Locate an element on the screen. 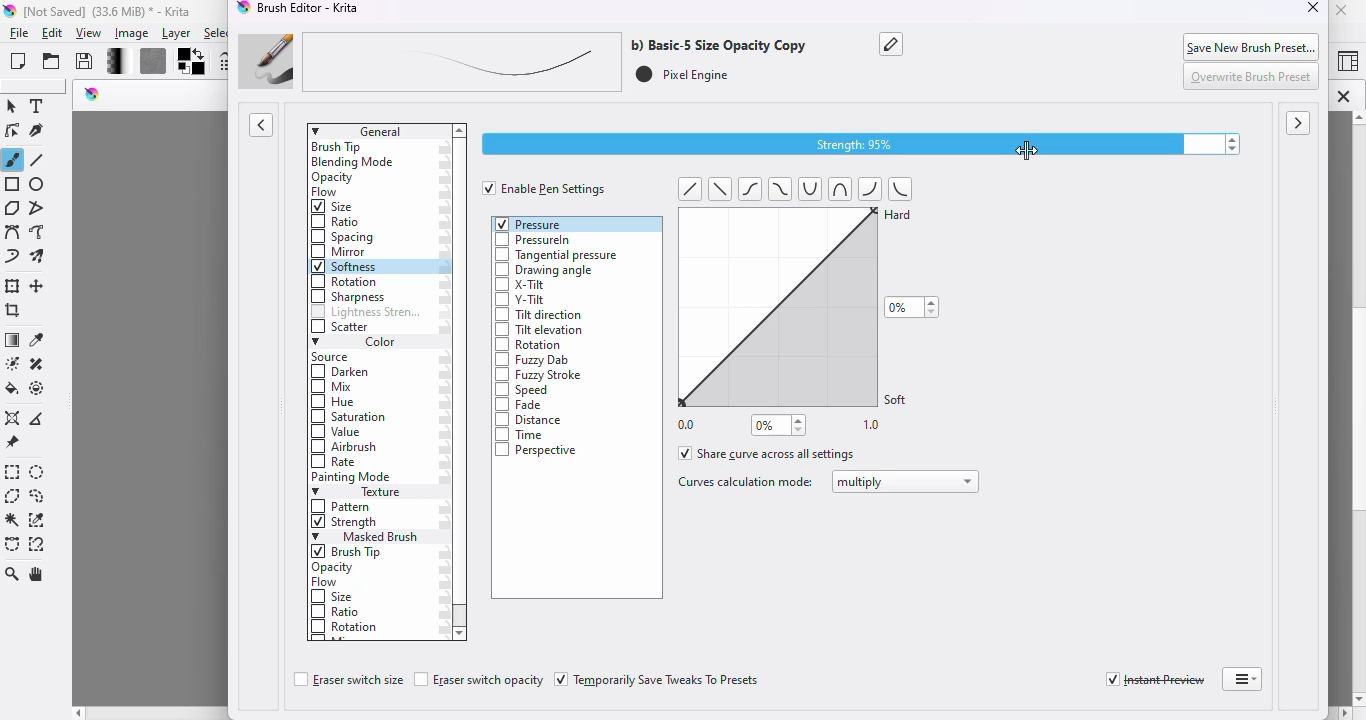 The height and width of the screenshot is (720, 1366). bezier curve selection tool is located at coordinates (13, 544).